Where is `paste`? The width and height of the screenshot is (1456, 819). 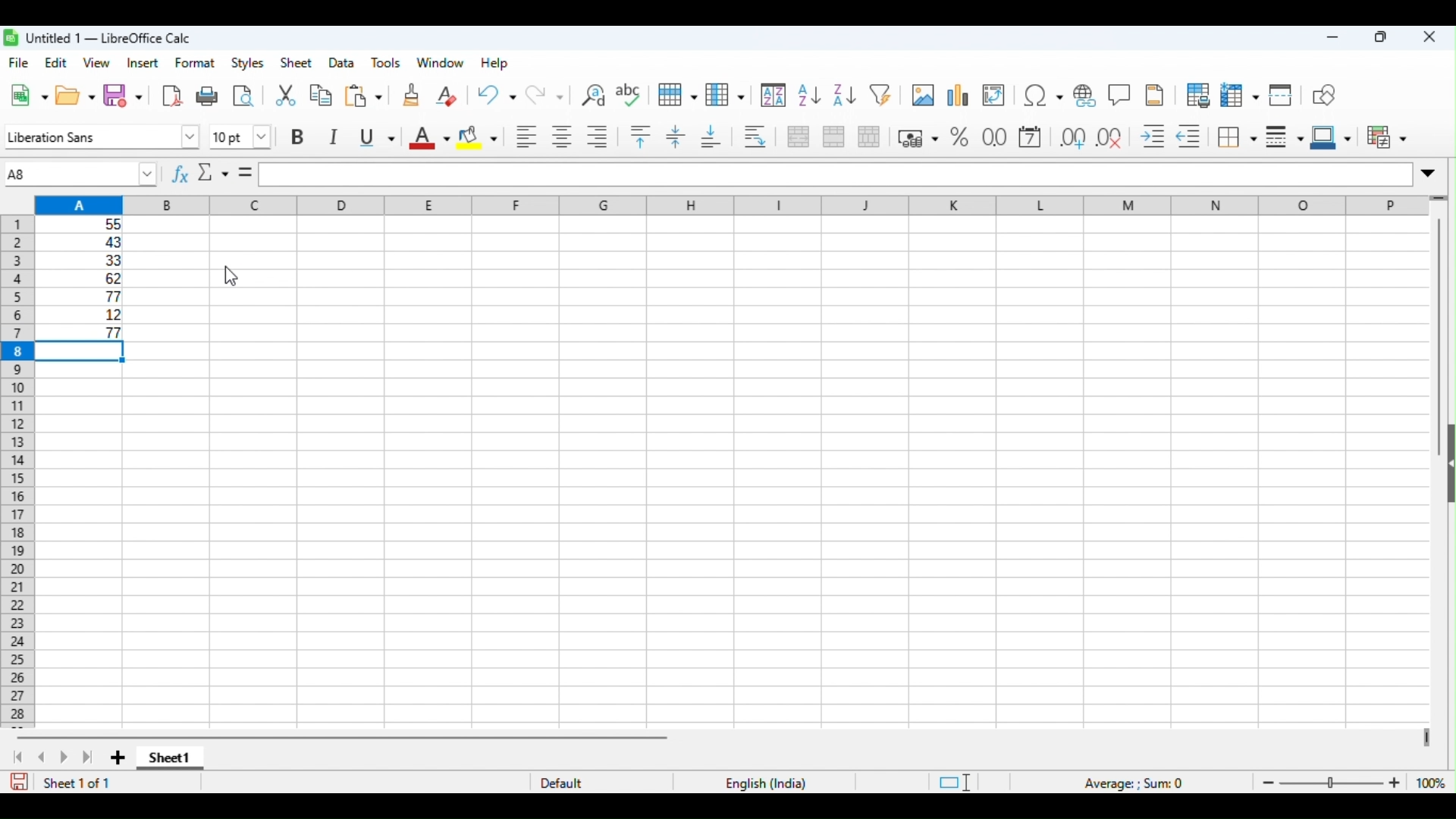
paste is located at coordinates (362, 96).